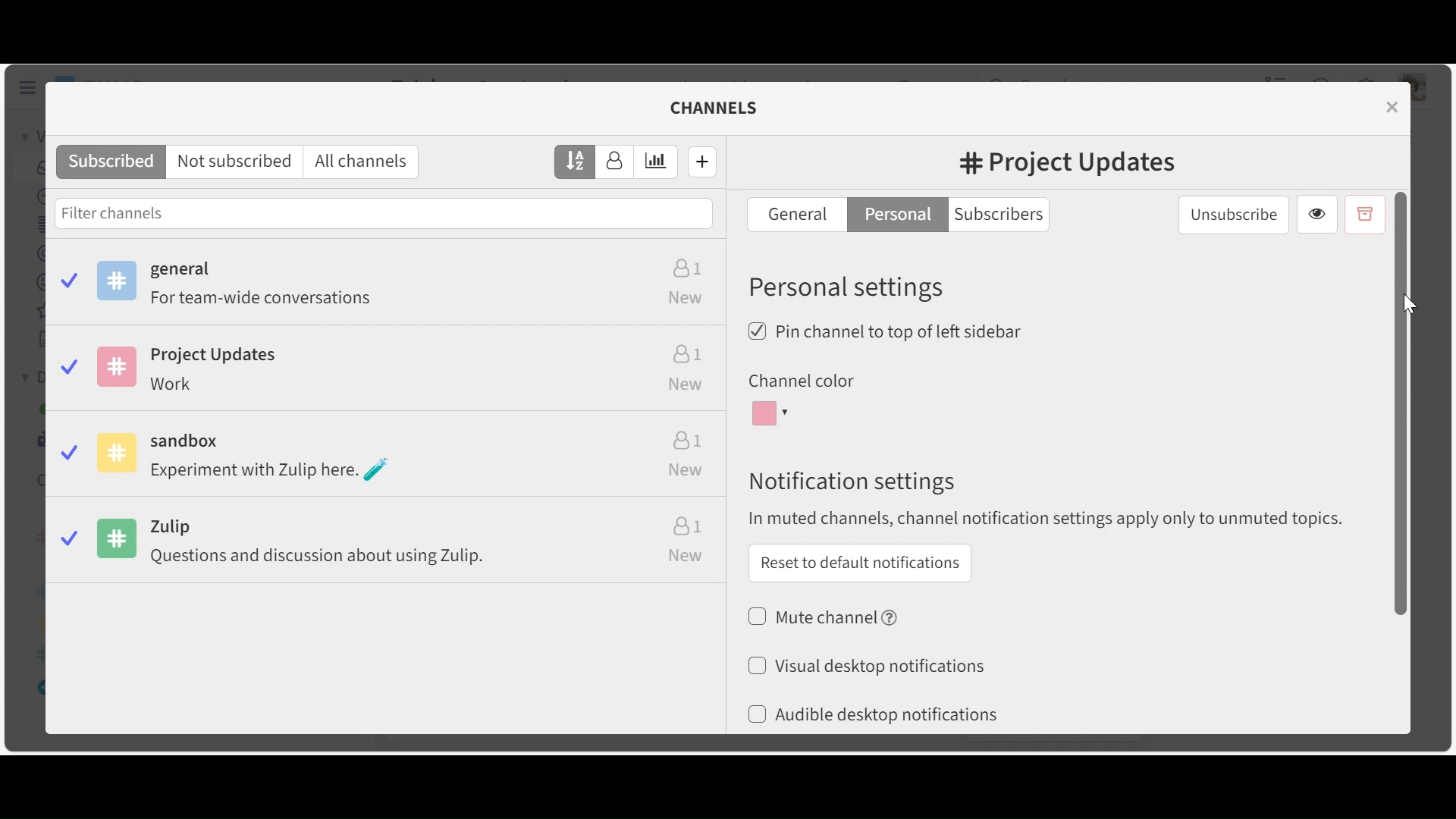  What do you see at coordinates (111, 162) in the screenshot?
I see `Subscribed channels` at bounding box center [111, 162].